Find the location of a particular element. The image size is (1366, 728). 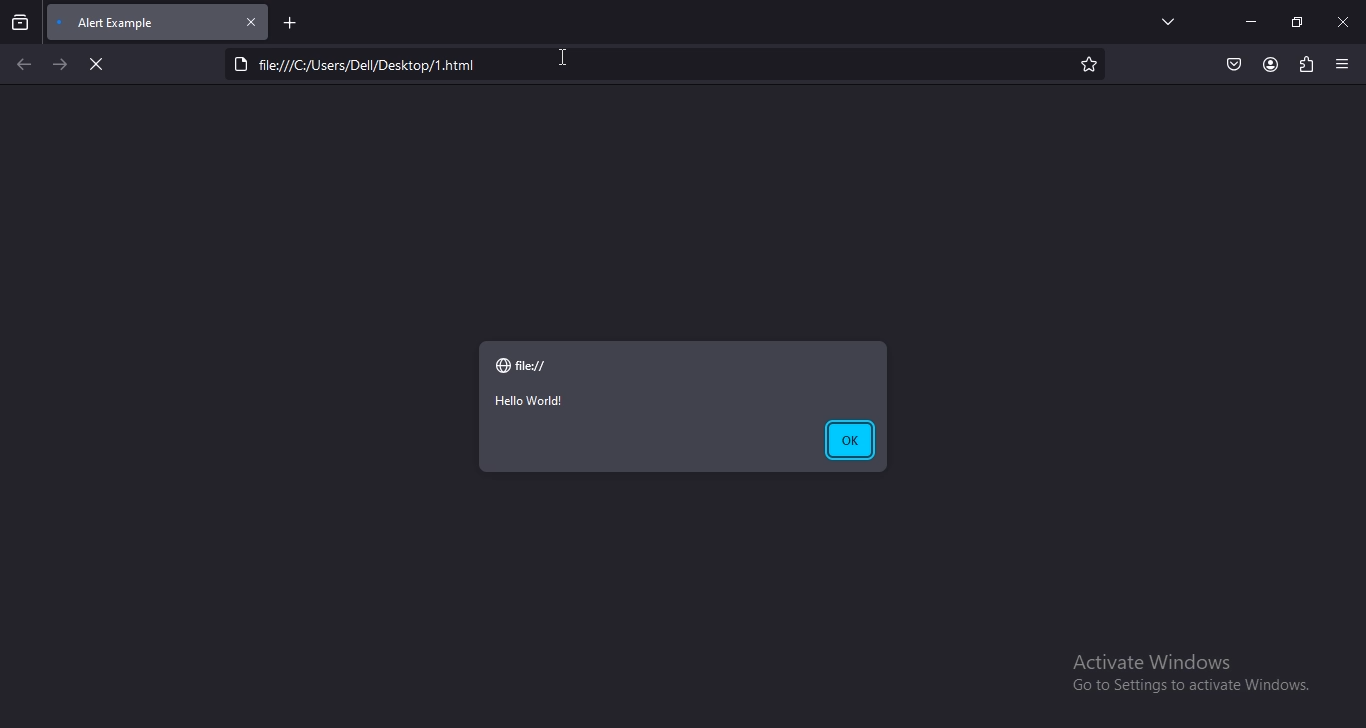

close is located at coordinates (253, 22).